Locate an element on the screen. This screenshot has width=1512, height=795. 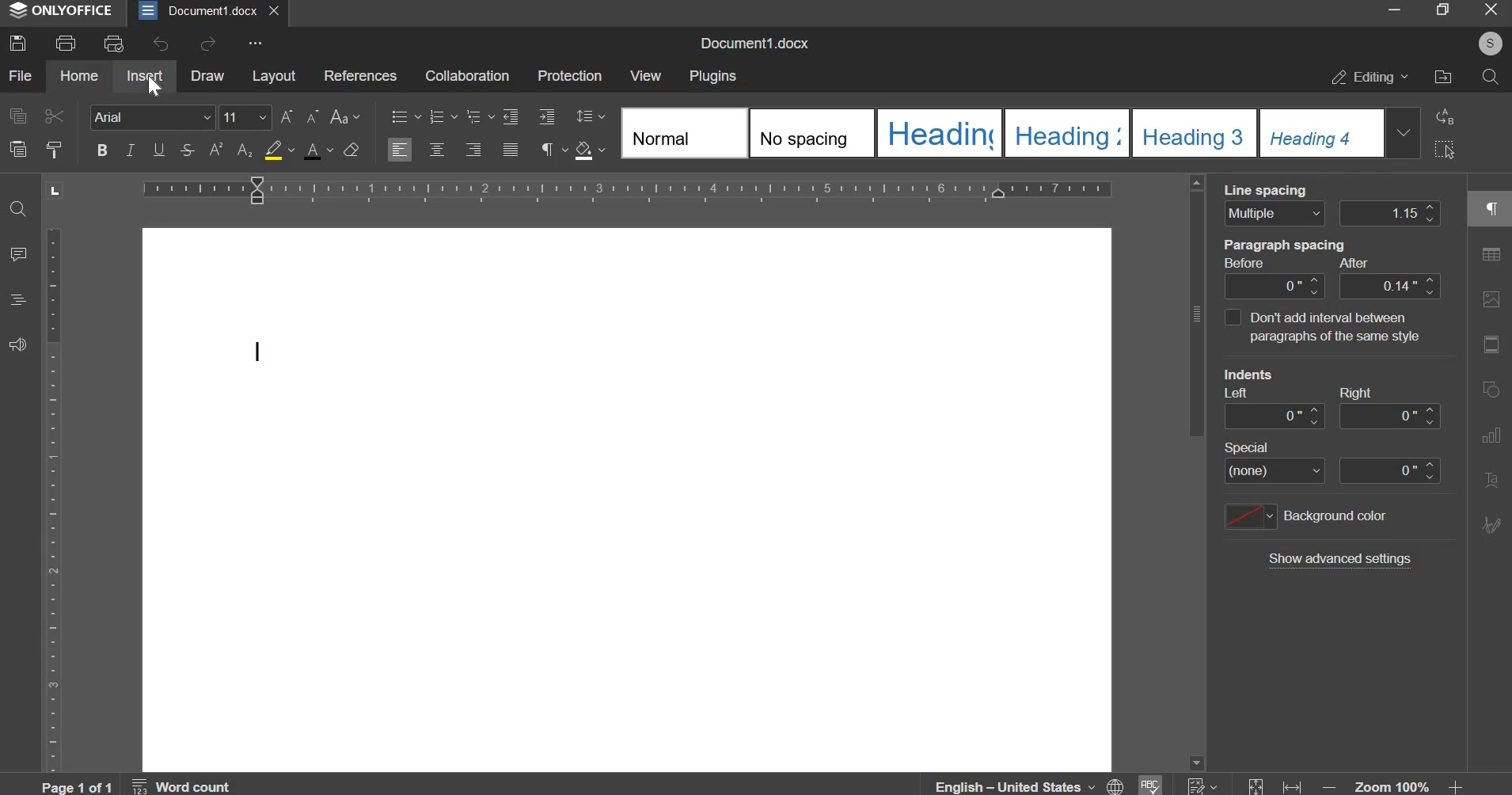
feedback is located at coordinates (17, 344).